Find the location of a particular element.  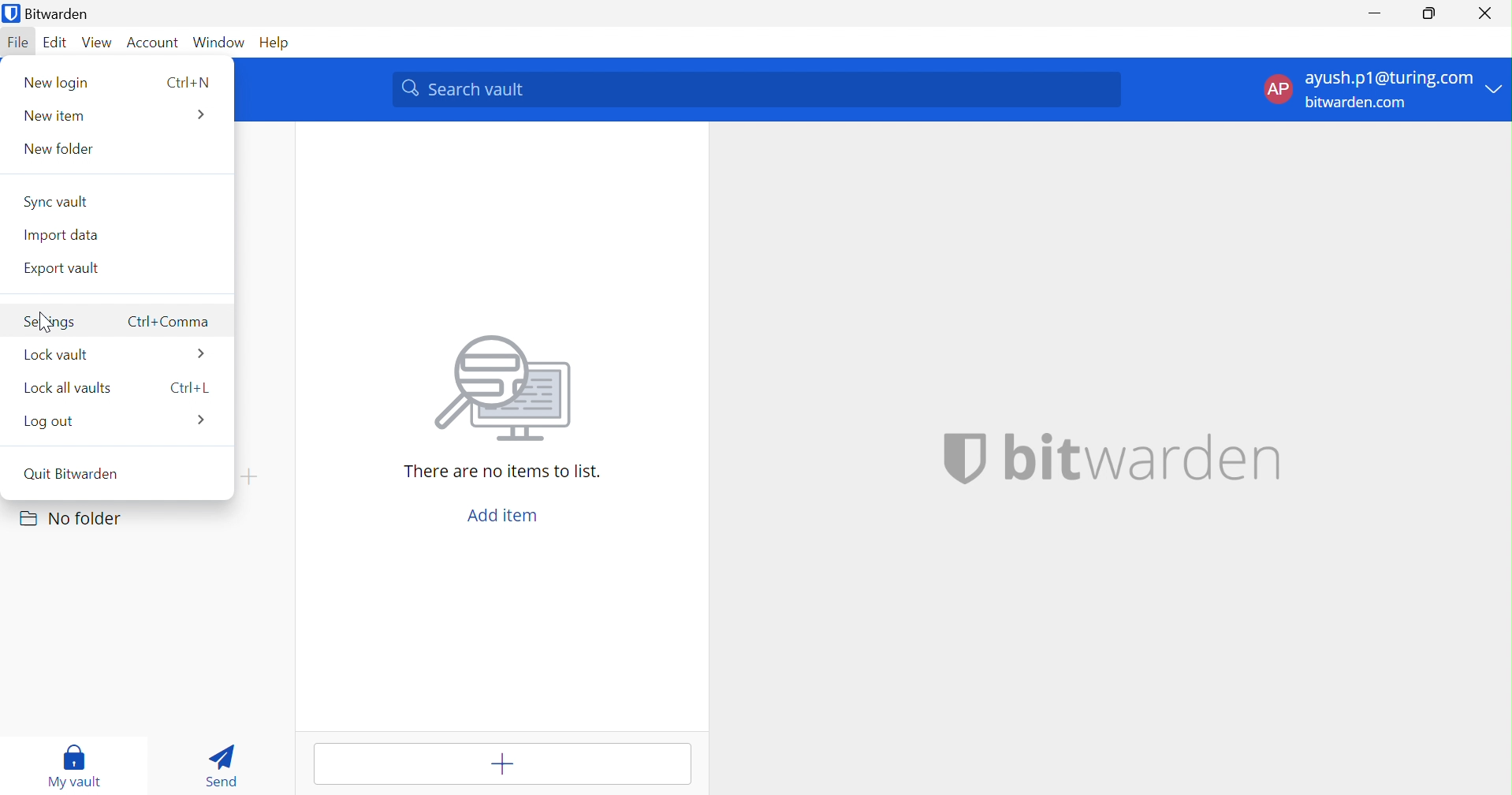

CTRL+N is located at coordinates (188, 84).